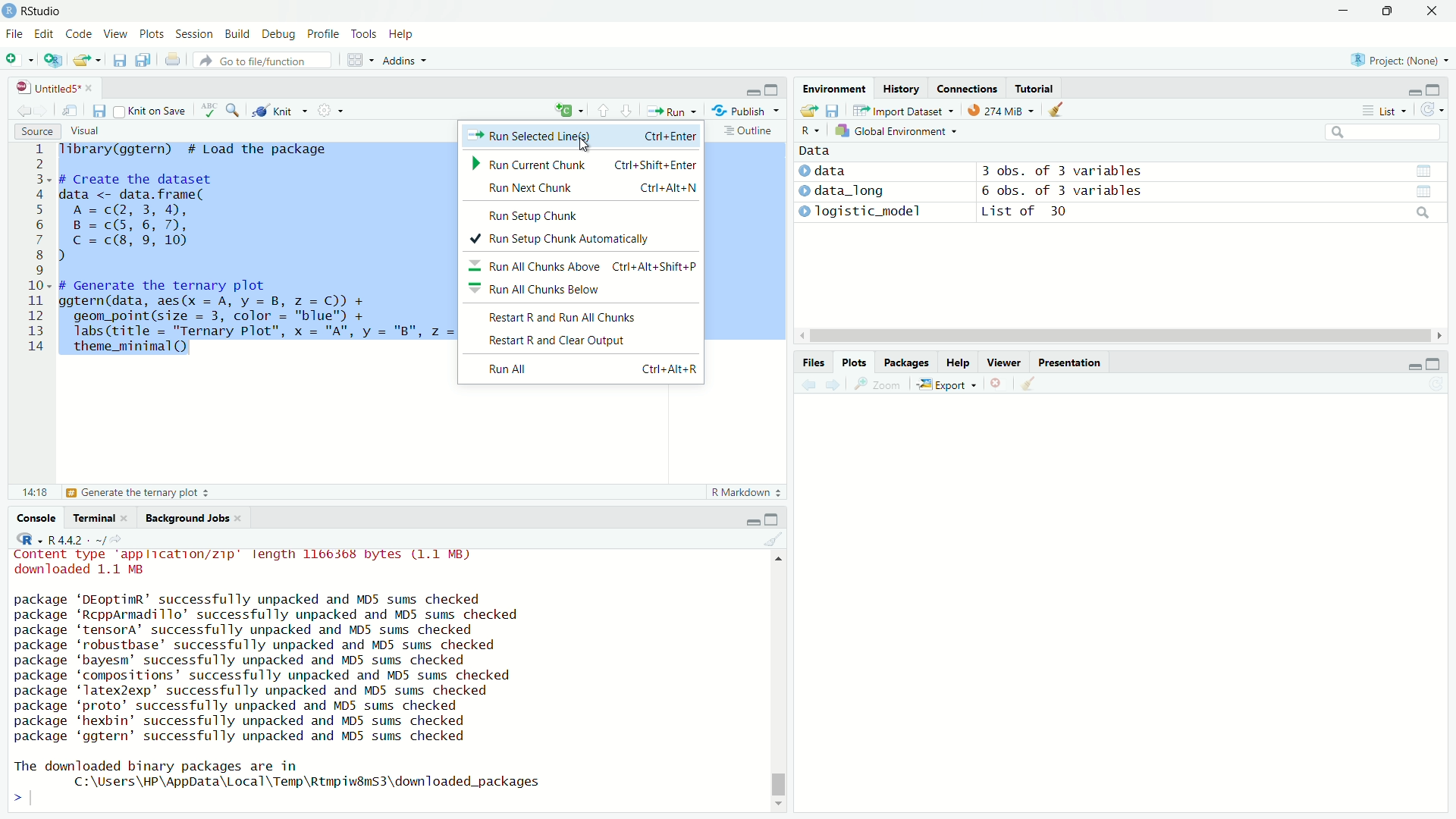 The image size is (1456, 819). Describe the element at coordinates (967, 88) in the screenshot. I see `Connections` at that location.